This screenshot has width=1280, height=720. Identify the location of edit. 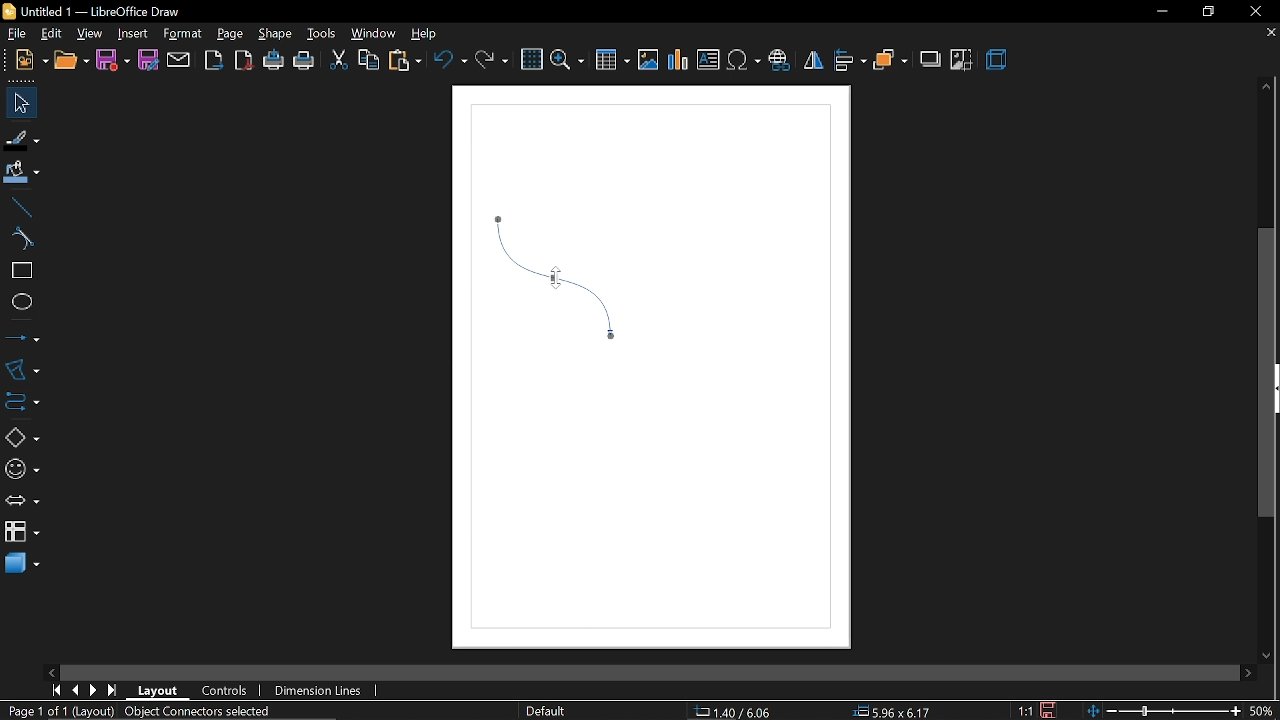
(50, 33).